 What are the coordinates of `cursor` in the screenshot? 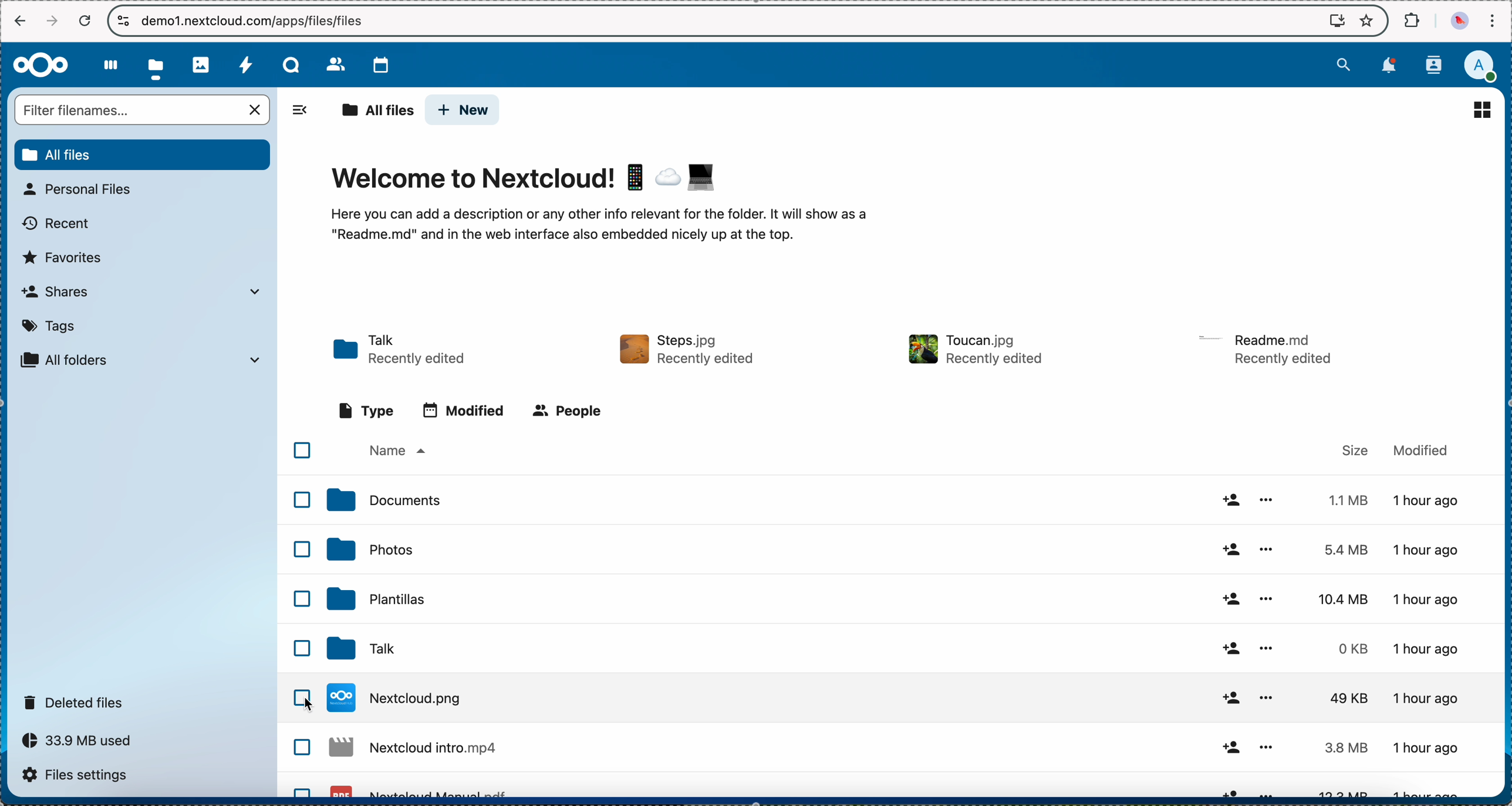 It's located at (312, 707).